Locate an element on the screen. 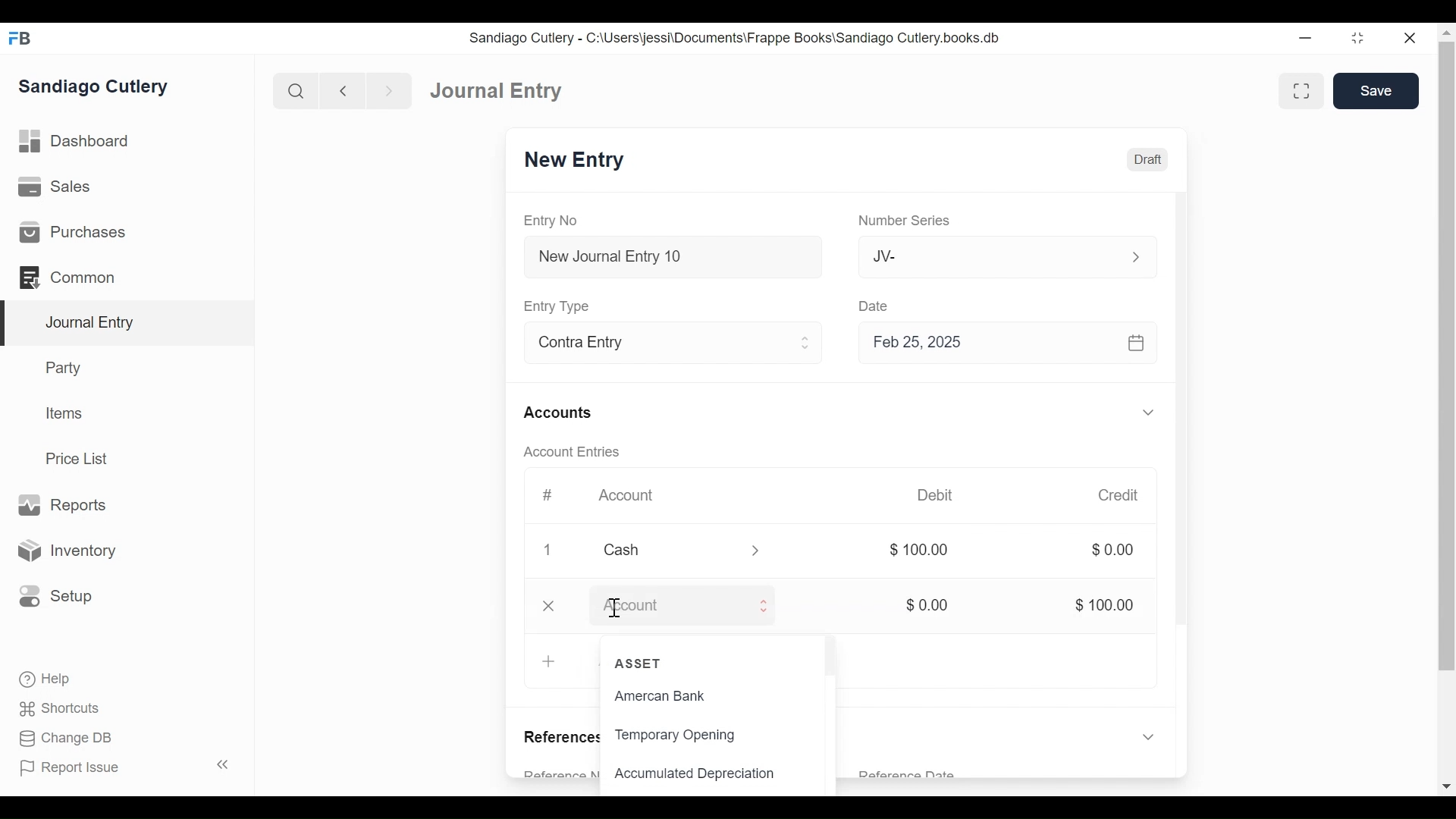 The width and height of the screenshot is (1456, 819). New Journal Entry 10 is located at coordinates (675, 257).